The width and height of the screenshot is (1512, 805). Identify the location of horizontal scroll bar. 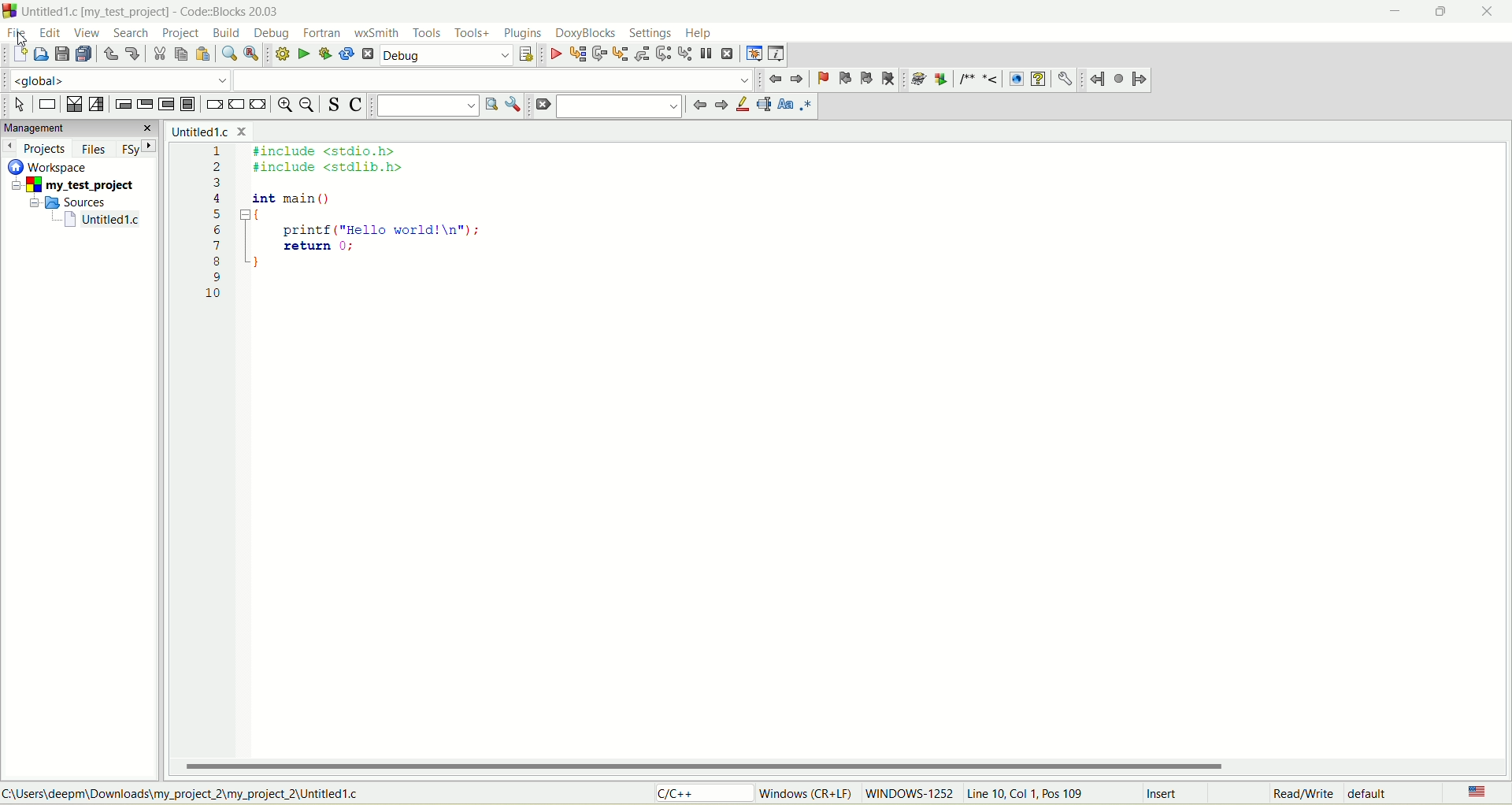
(842, 766).